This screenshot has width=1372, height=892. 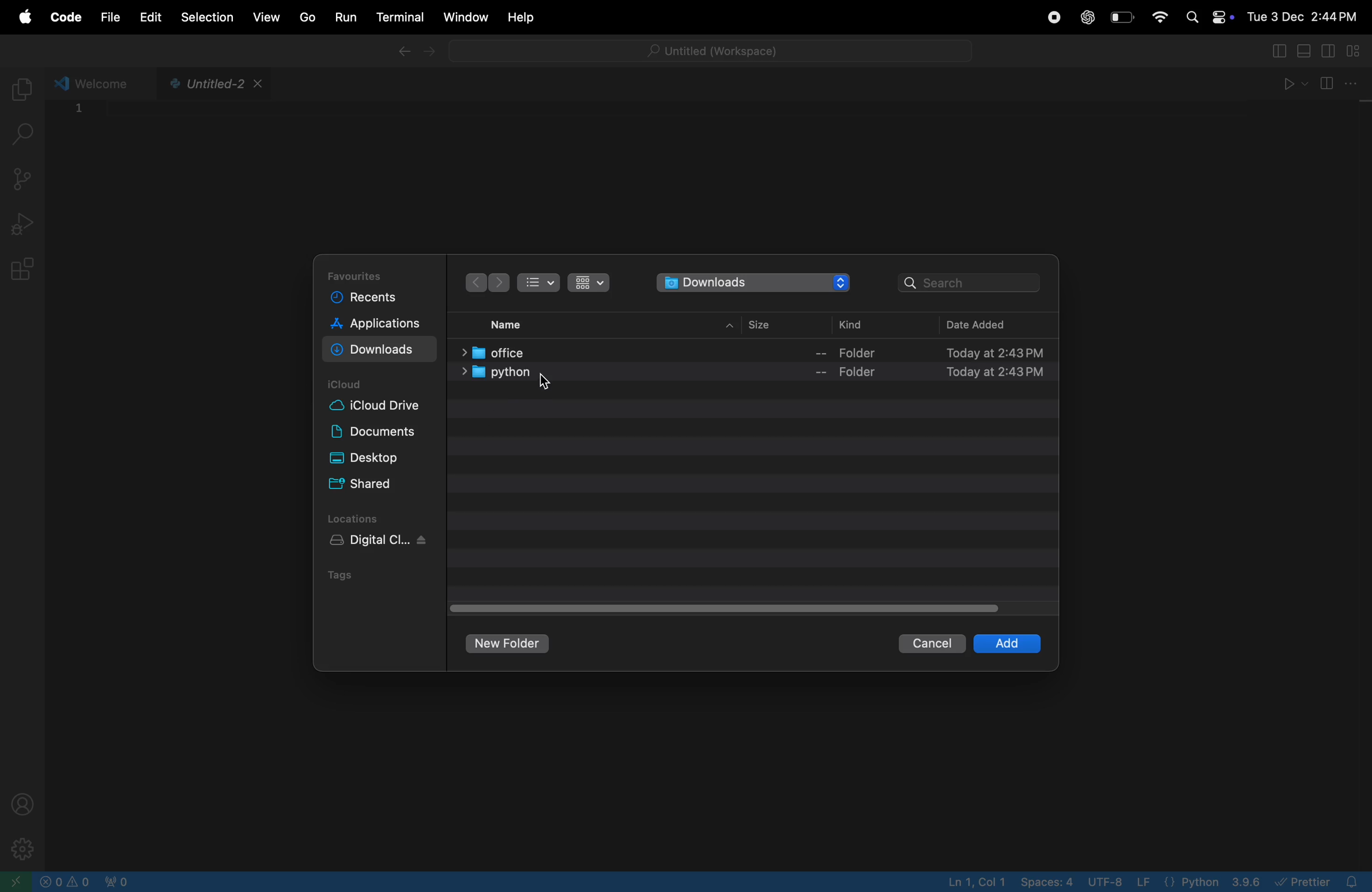 What do you see at coordinates (96, 83) in the screenshot?
I see `welcome` at bounding box center [96, 83].